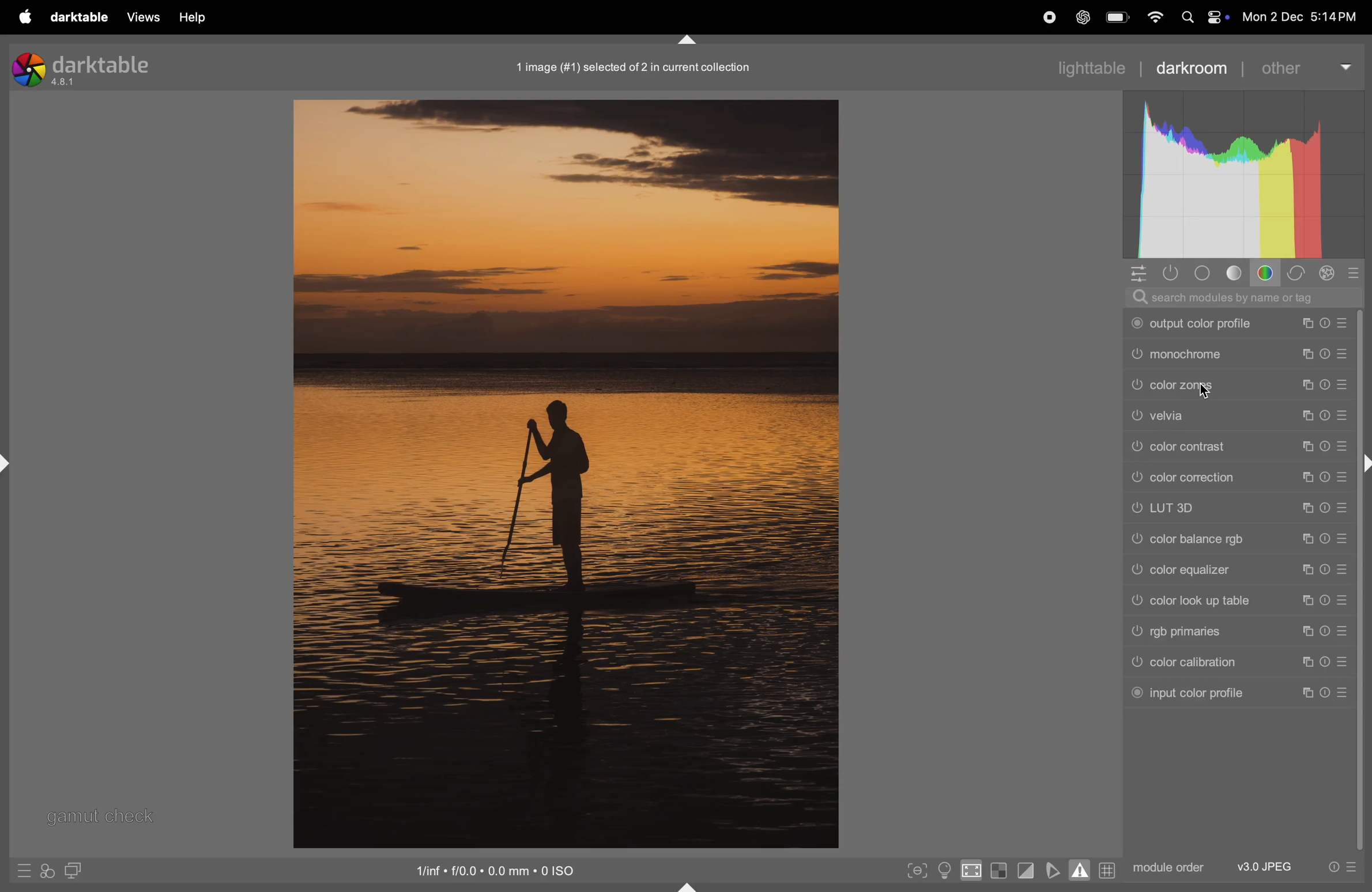  Describe the element at coordinates (1305, 384) in the screenshot. I see `Copy` at that location.